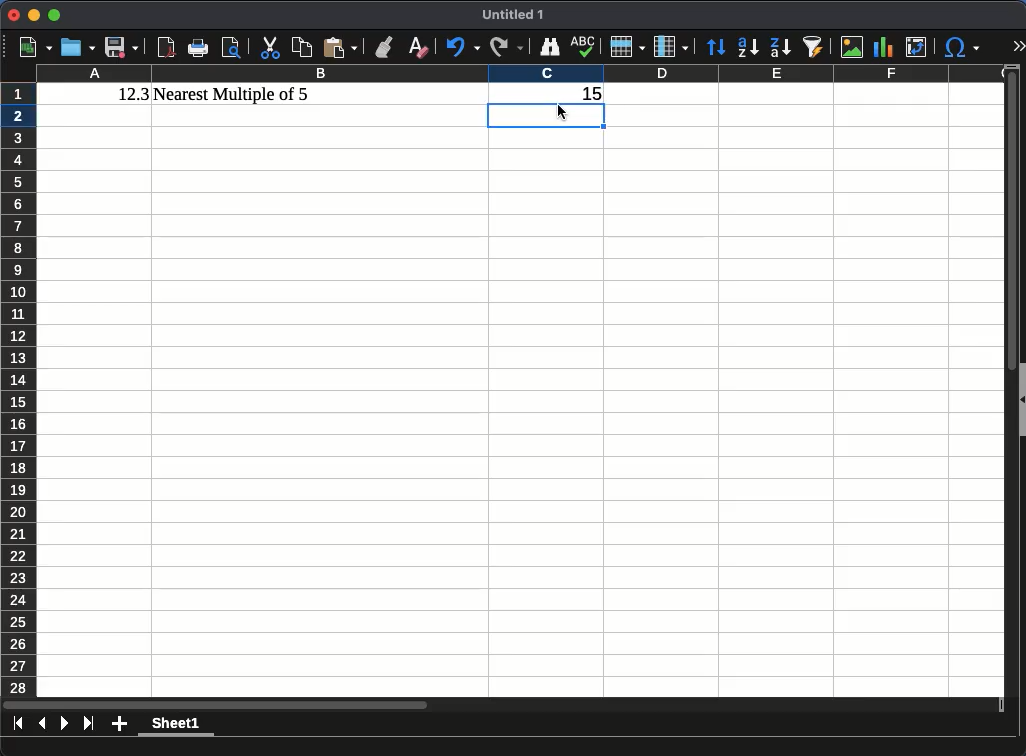 This screenshot has width=1026, height=756. I want to click on column , so click(524, 75).